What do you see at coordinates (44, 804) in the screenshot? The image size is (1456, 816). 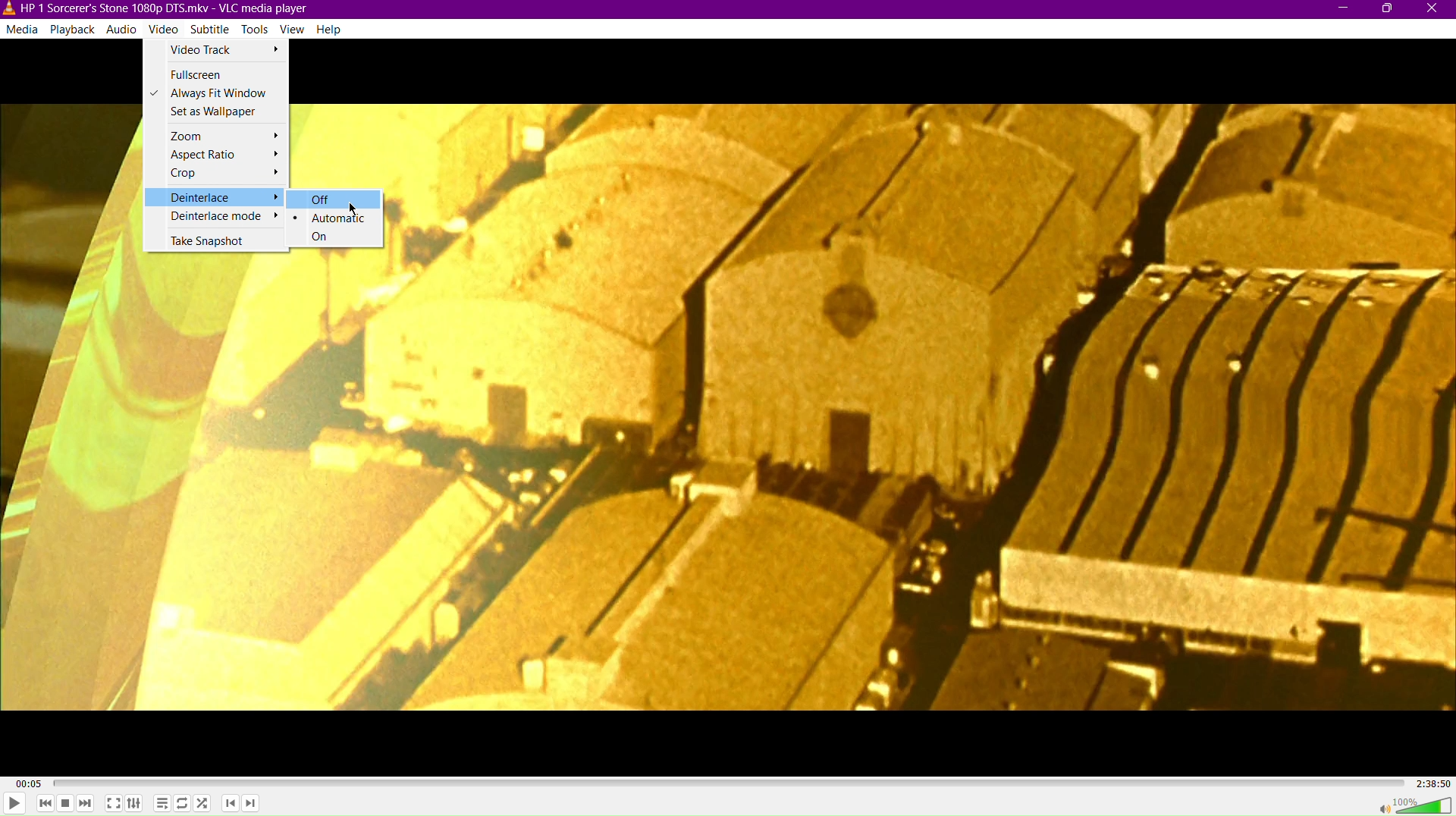 I see `Skip Back` at bounding box center [44, 804].